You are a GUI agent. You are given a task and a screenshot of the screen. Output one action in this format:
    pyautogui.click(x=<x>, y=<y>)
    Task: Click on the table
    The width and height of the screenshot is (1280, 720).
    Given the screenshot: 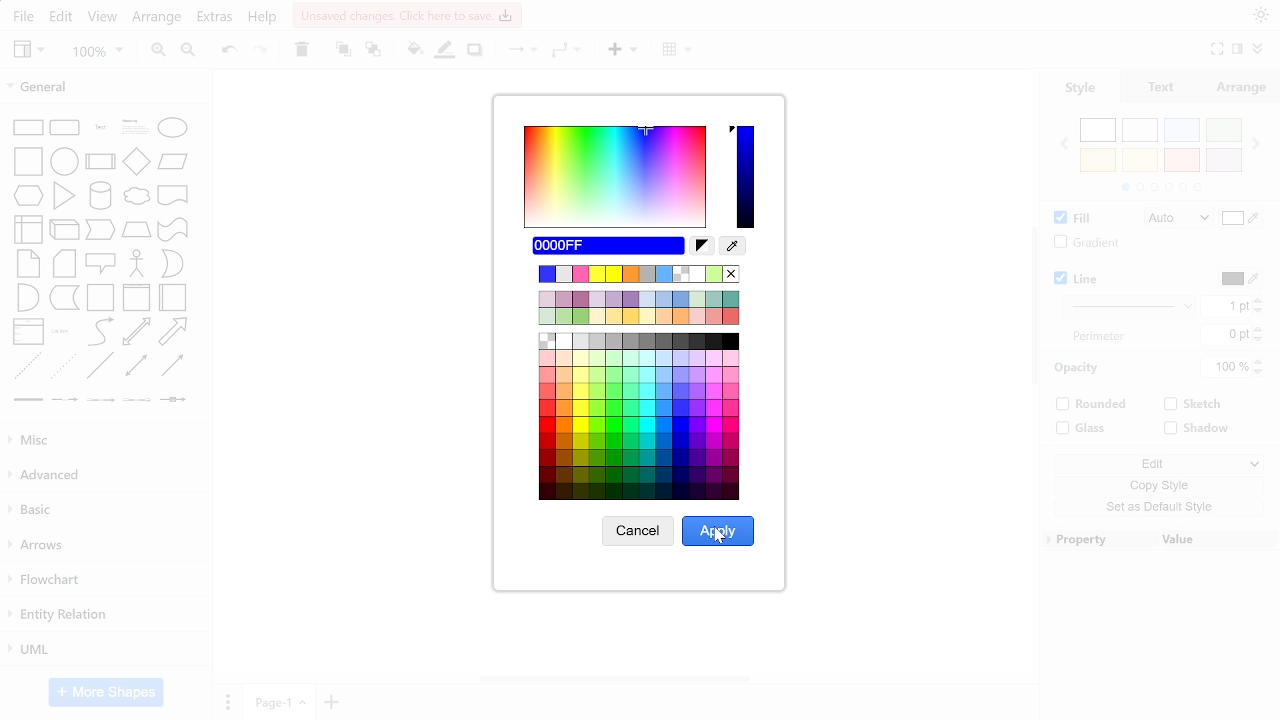 What is the action you would take?
    pyautogui.click(x=680, y=51)
    